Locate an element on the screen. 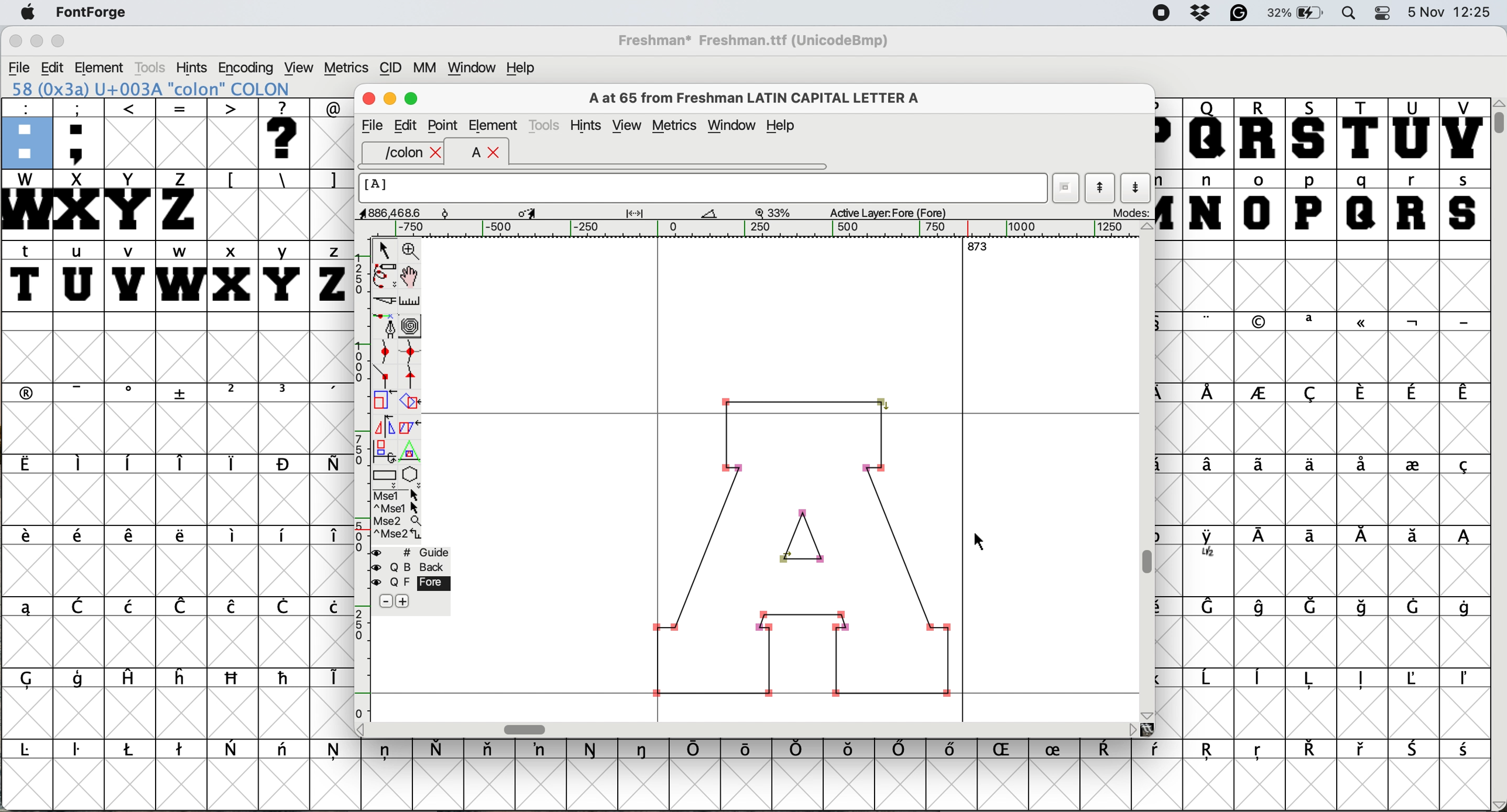 The width and height of the screenshot is (1507, 812). n is located at coordinates (1206, 204).